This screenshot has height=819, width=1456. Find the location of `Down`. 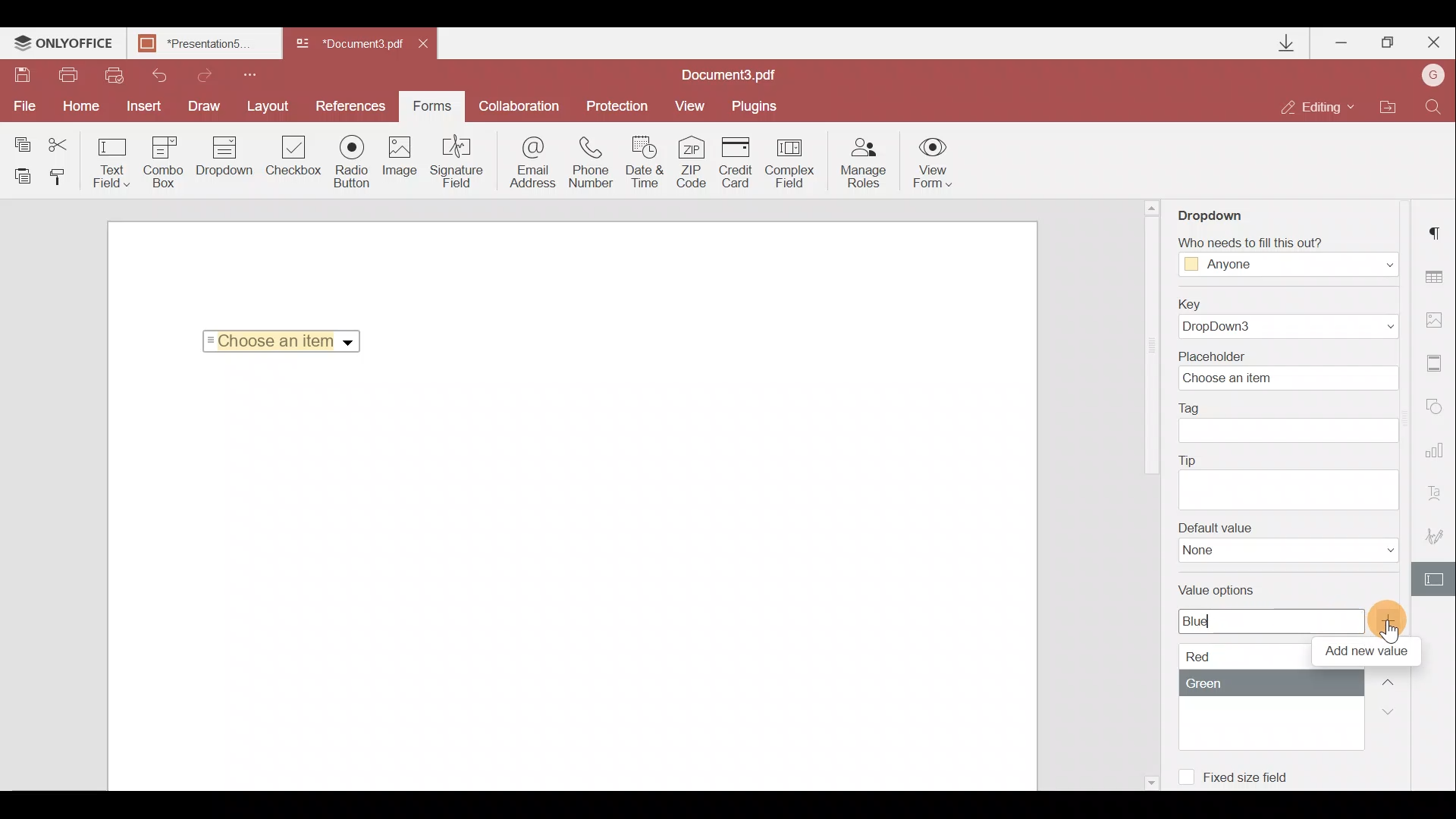

Down is located at coordinates (1385, 711).